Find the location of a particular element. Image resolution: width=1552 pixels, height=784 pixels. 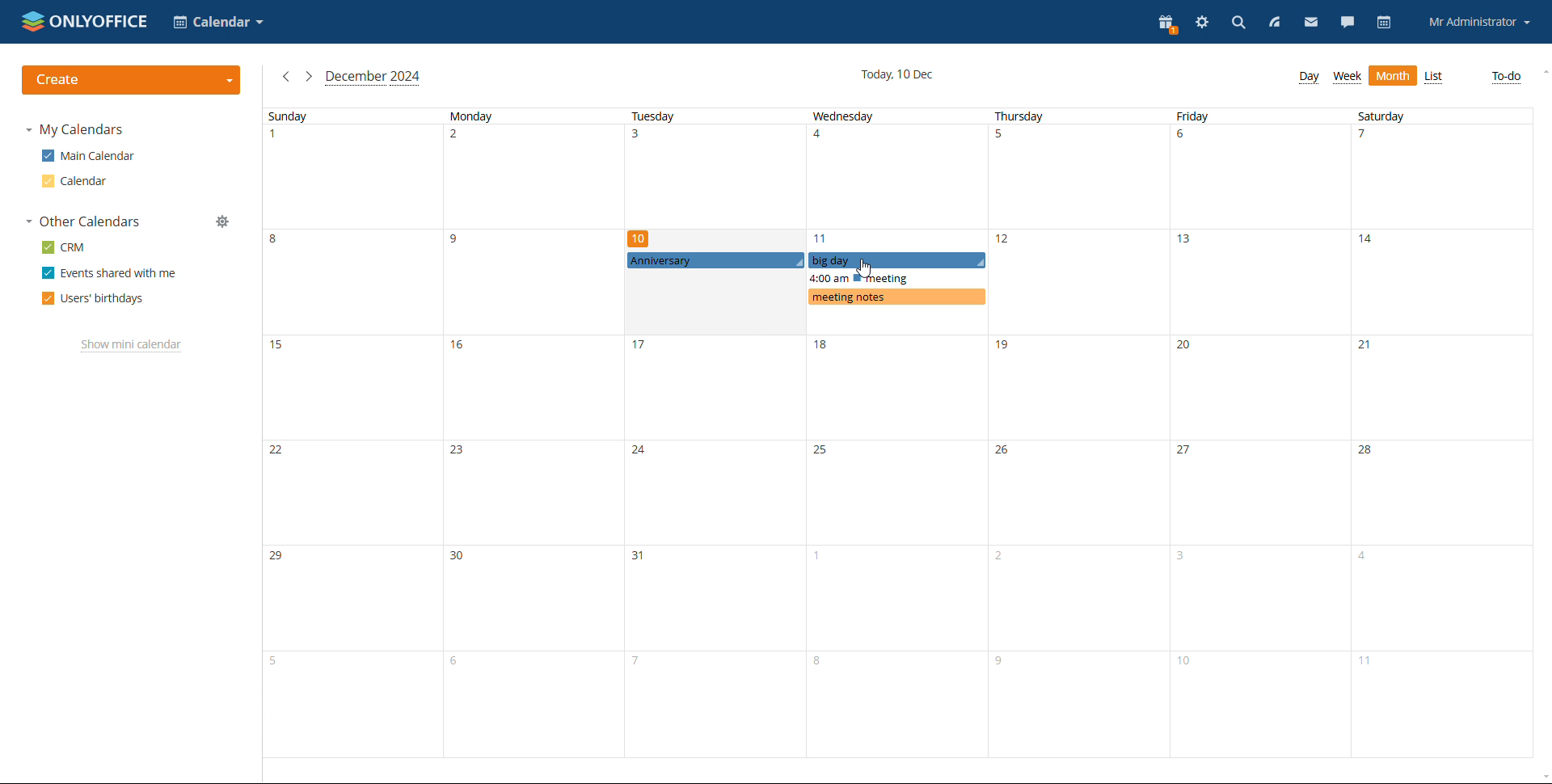

my calendars is located at coordinates (78, 130).